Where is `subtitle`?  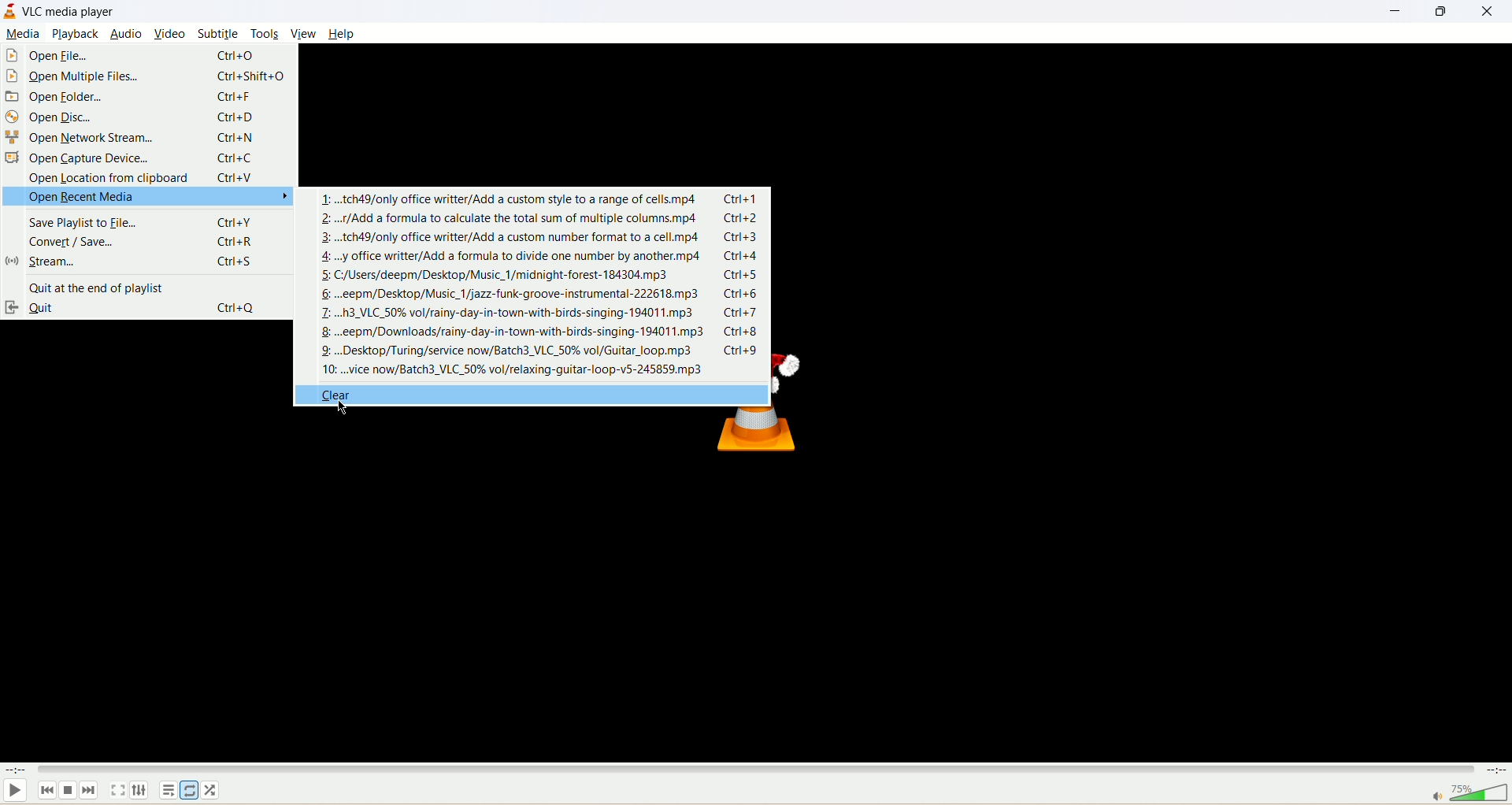 subtitle is located at coordinates (218, 34).